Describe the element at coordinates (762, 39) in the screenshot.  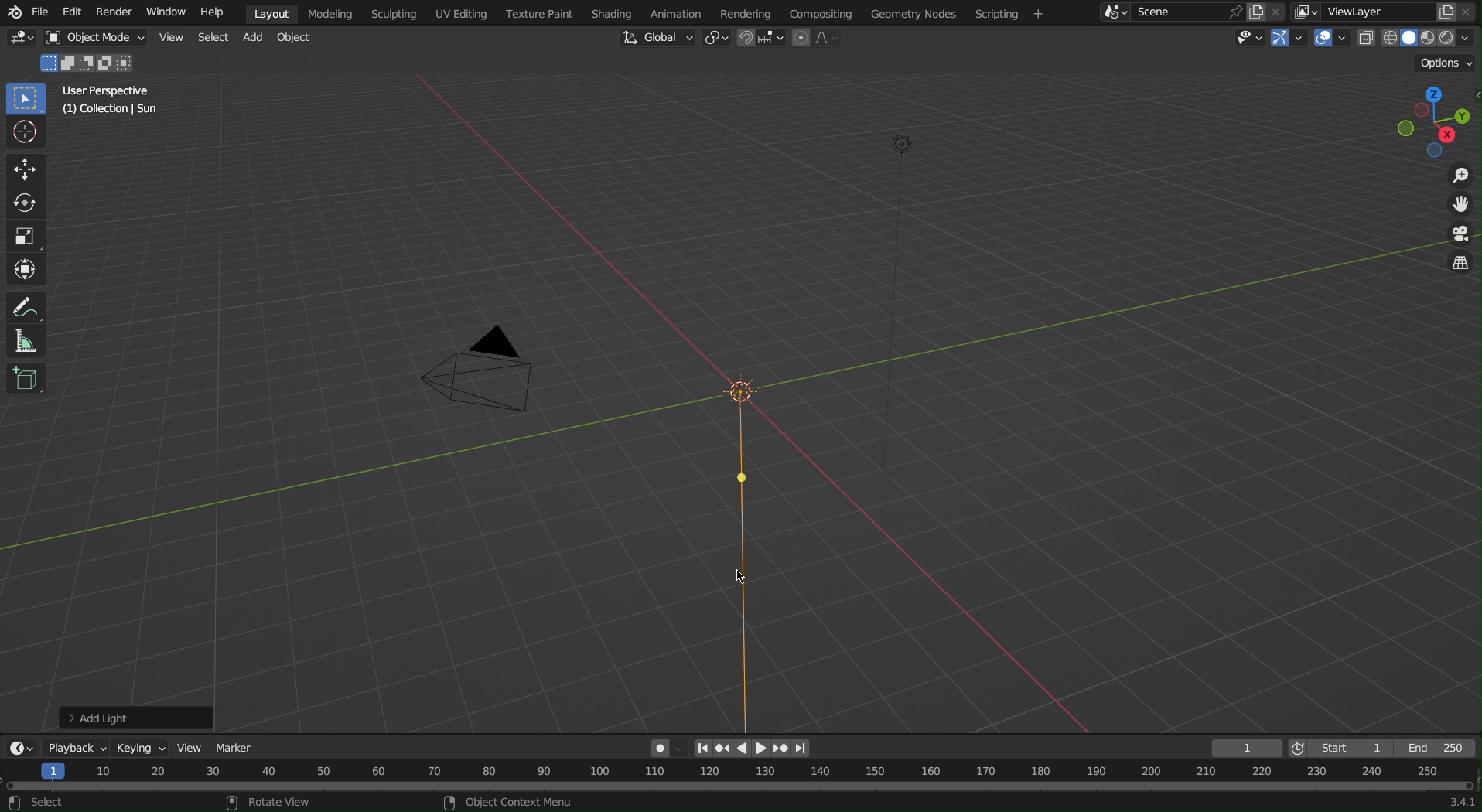
I see `Snapping` at that location.